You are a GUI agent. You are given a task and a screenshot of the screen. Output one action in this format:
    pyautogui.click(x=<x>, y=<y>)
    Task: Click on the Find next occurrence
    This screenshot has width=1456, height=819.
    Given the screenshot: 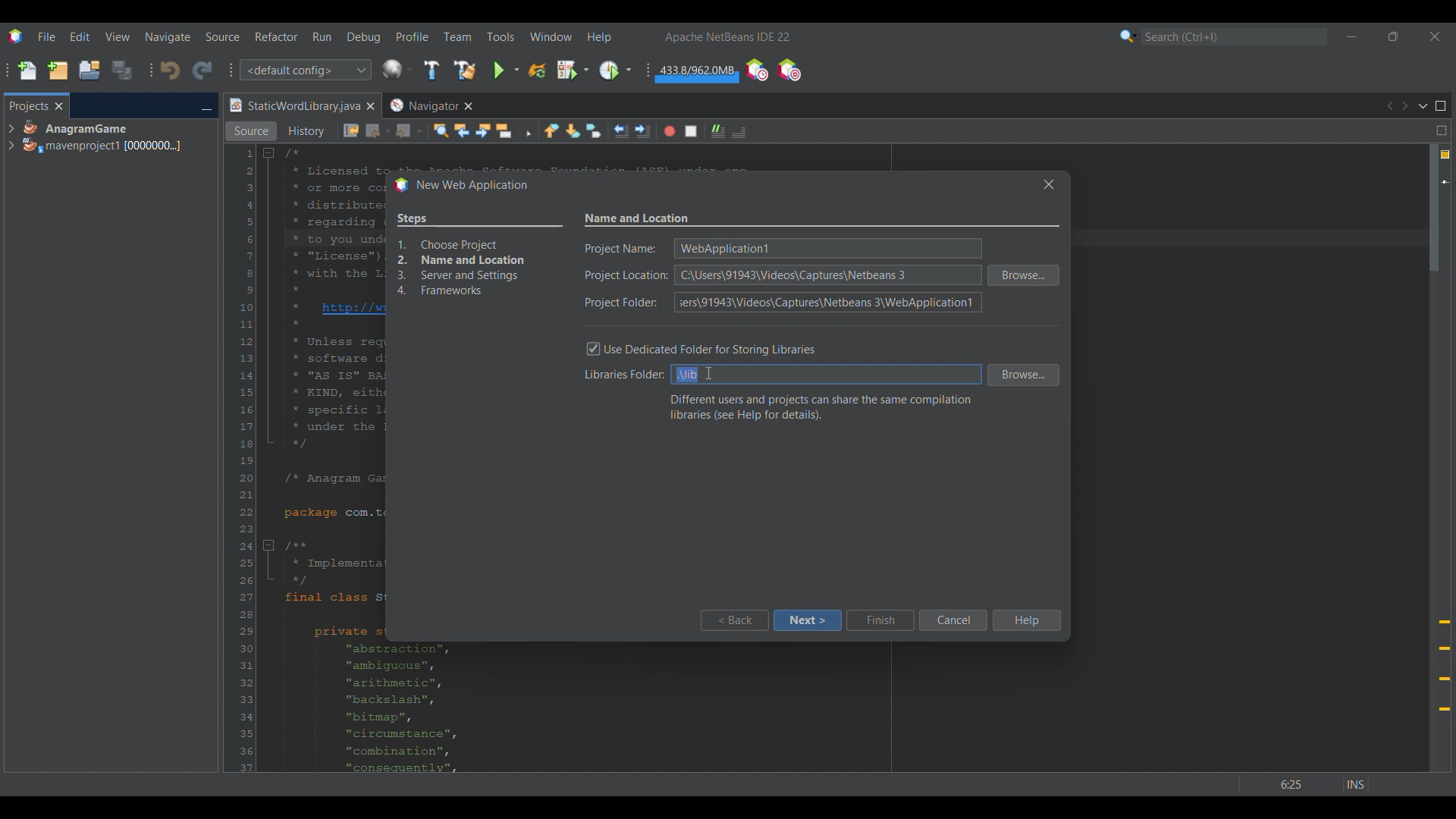 What is the action you would take?
    pyautogui.click(x=483, y=130)
    